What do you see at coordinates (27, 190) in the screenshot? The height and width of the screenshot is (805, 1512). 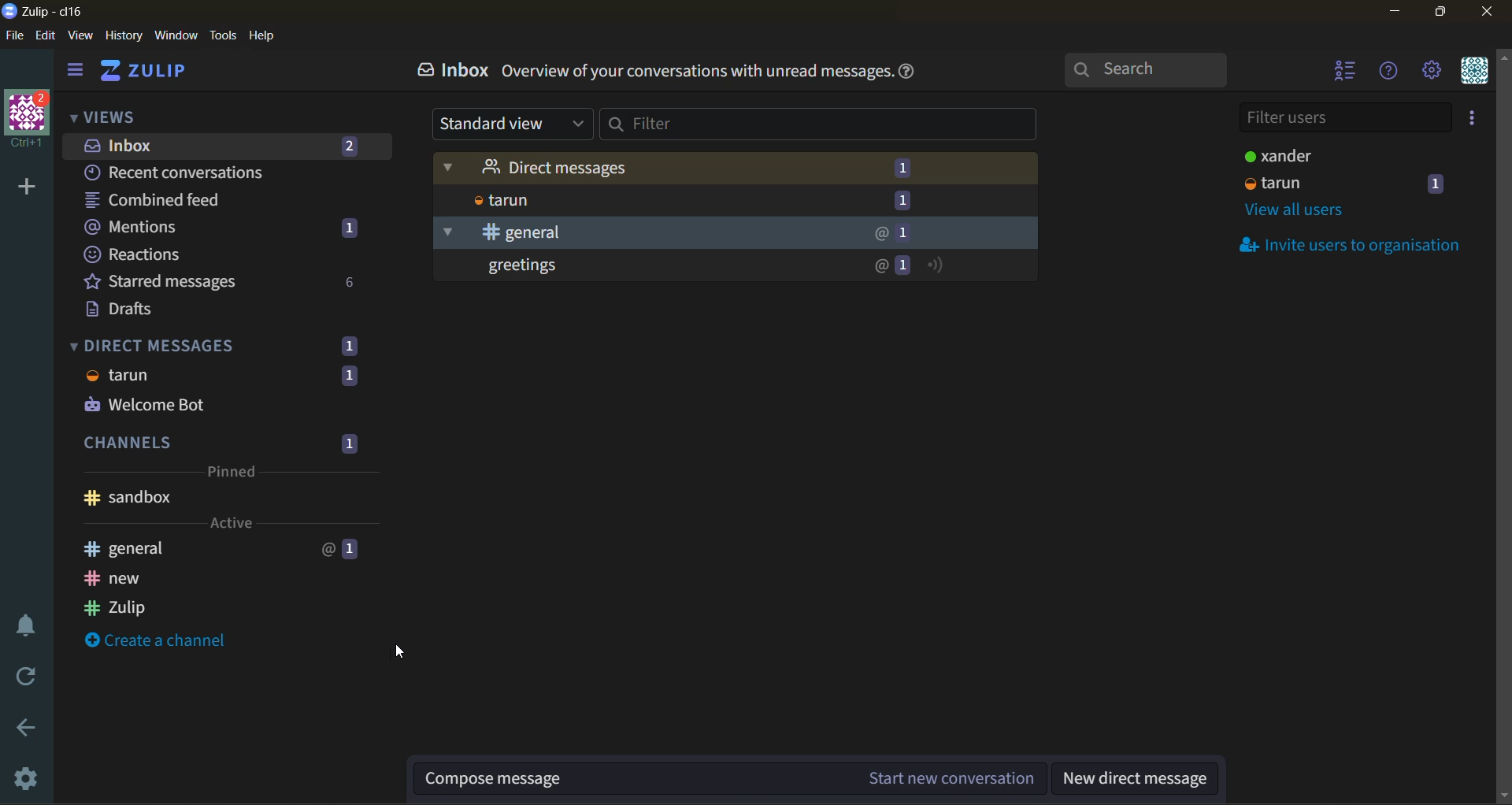 I see `add a new organisation` at bounding box center [27, 190].